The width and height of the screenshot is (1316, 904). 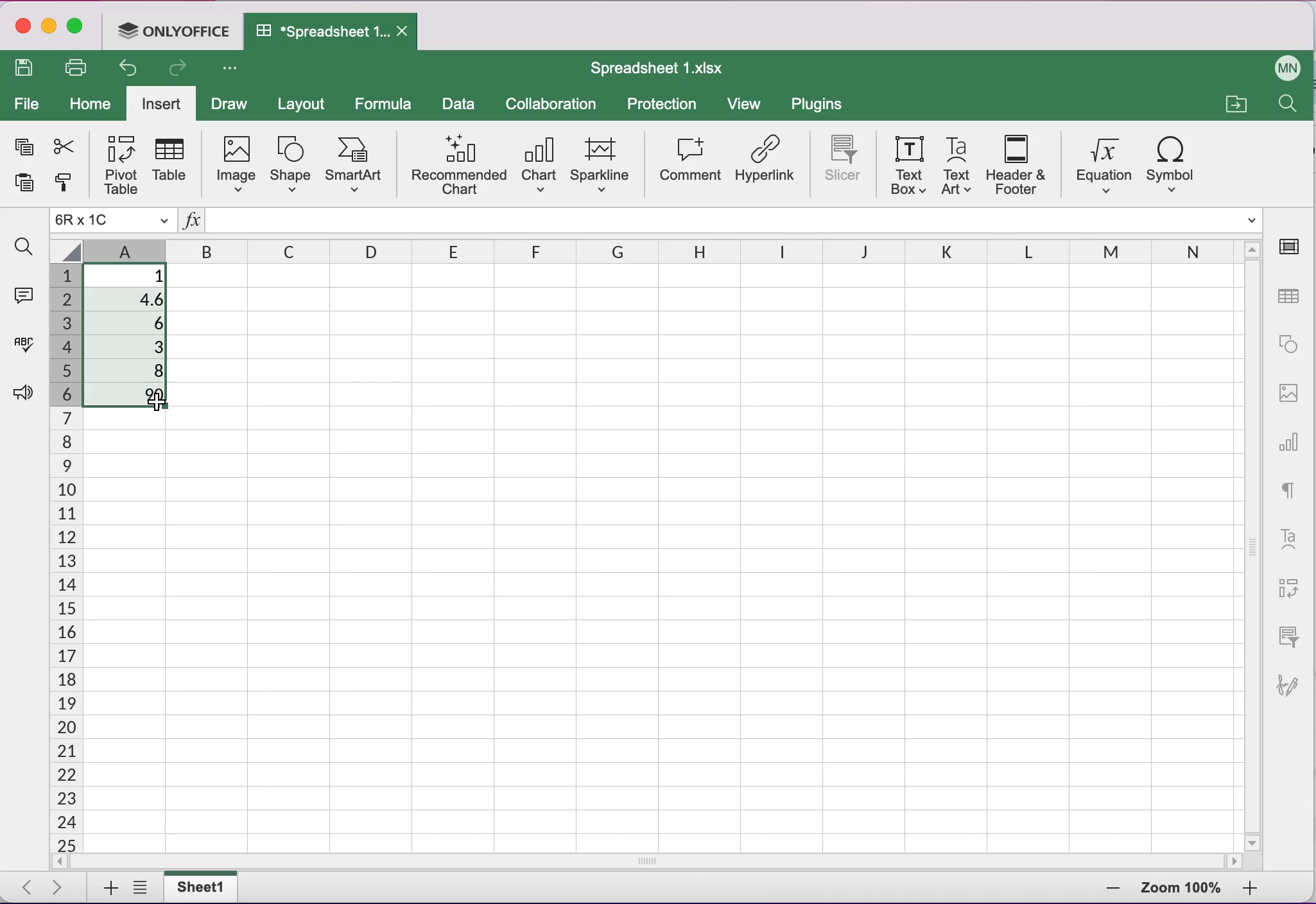 I want to click on sparkline, so click(x=602, y=164).